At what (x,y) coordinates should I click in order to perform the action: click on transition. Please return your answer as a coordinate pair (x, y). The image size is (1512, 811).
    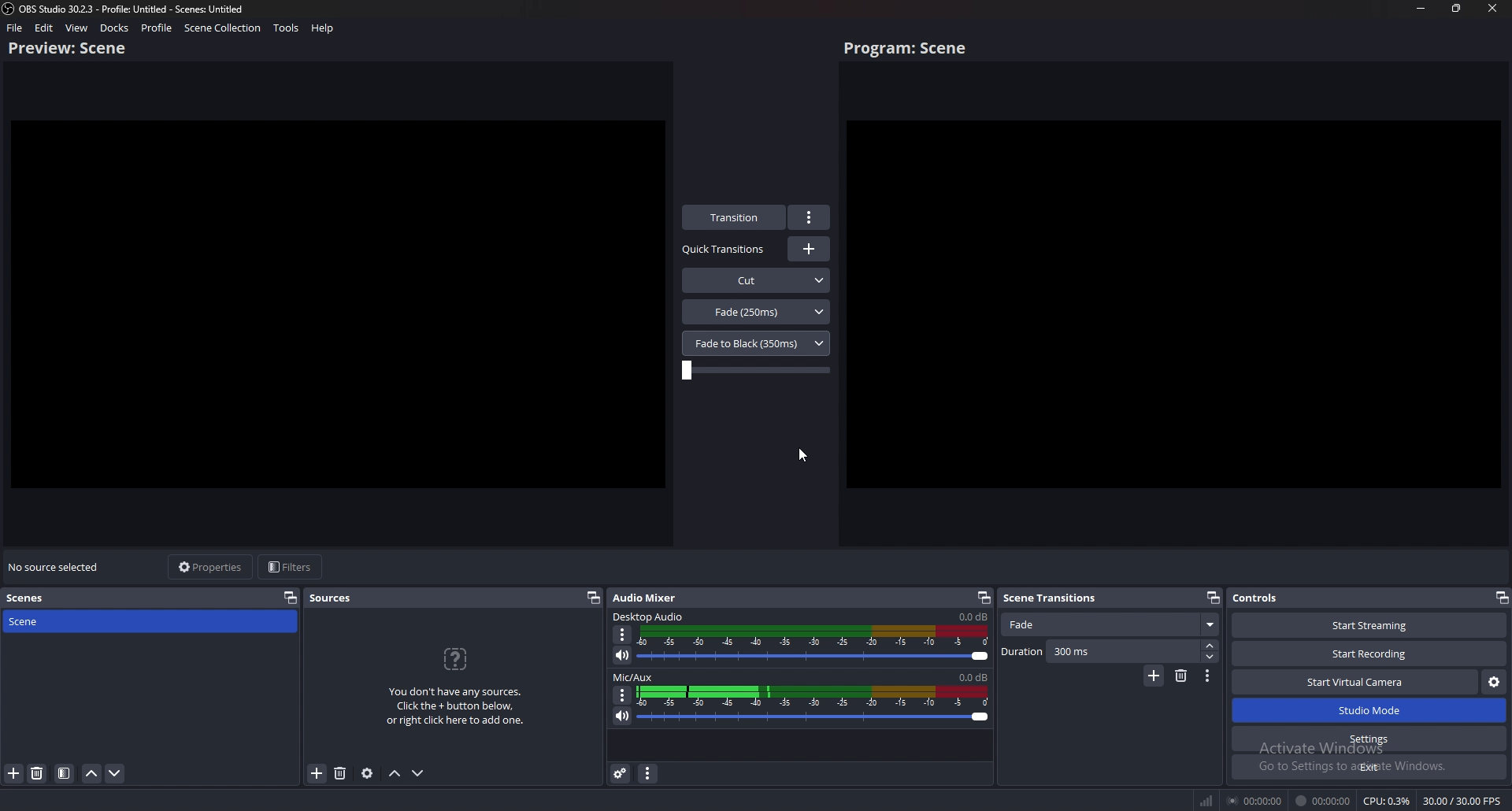
    Looking at the image, I should click on (736, 217).